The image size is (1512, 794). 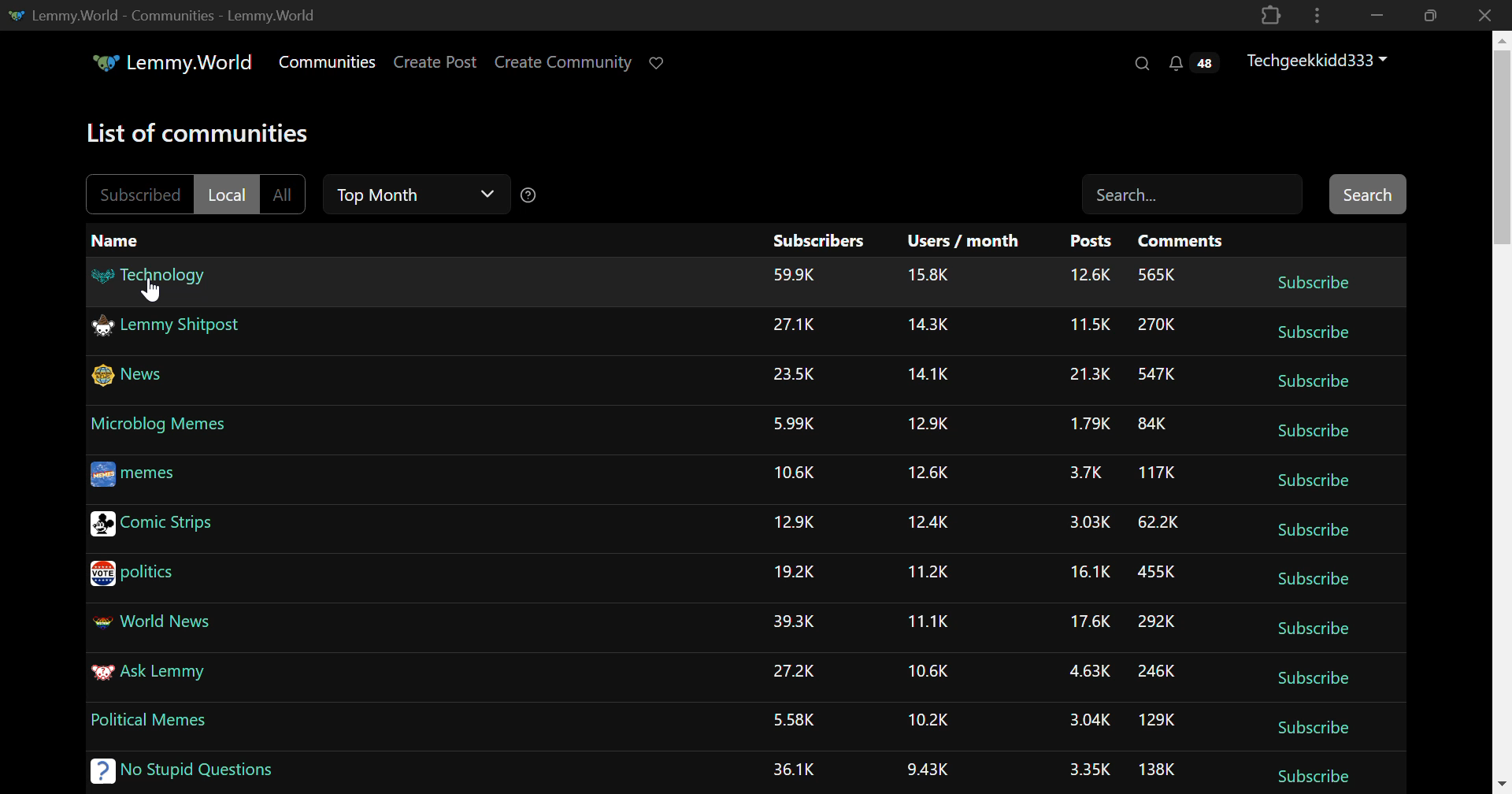 What do you see at coordinates (1152, 471) in the screenshot?
I see `117K` at bounding box center [1152, 471].